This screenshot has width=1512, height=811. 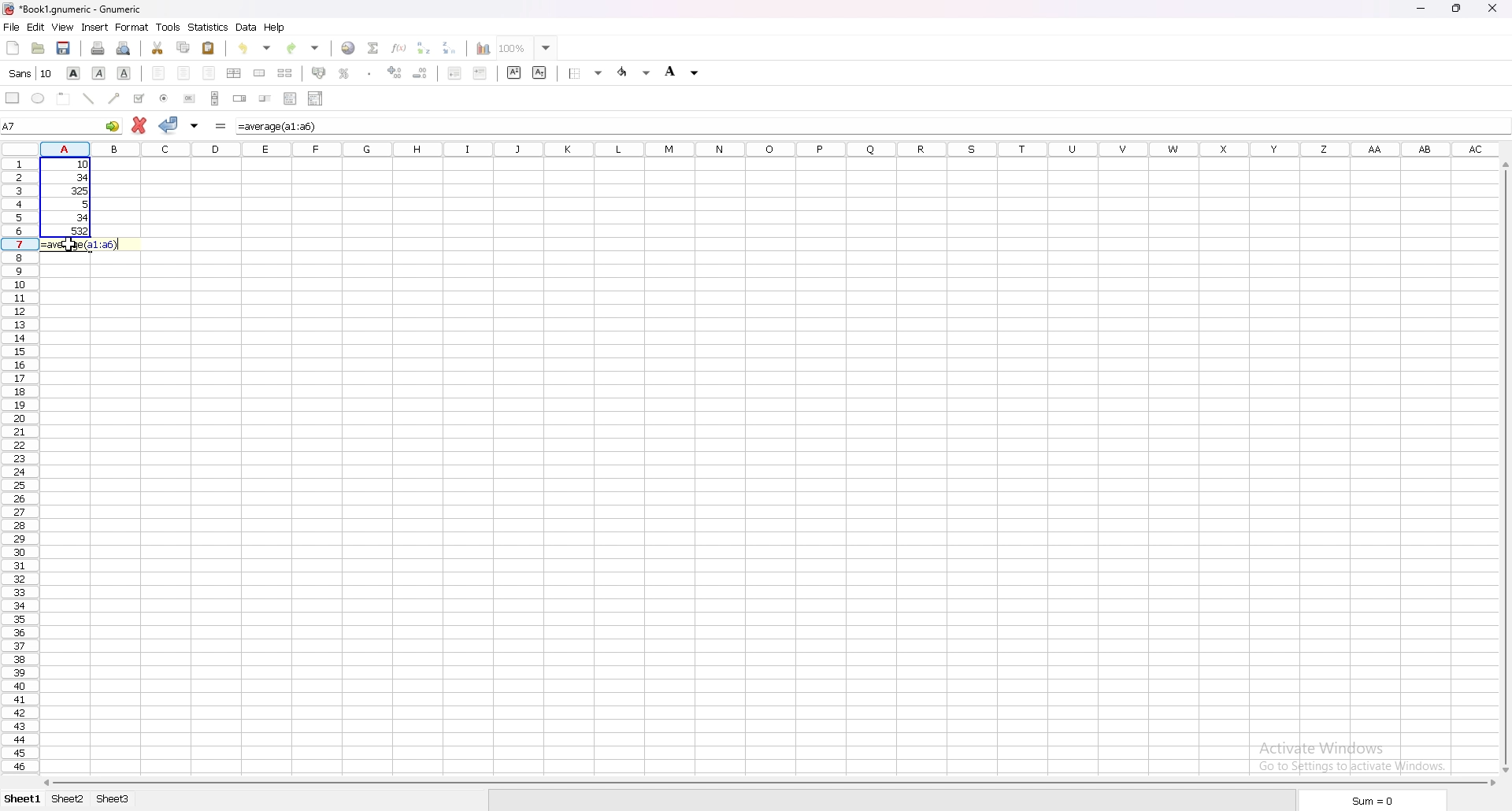 What do you see at coordinates (69, 243) in the screenshot?
I see `cursor` at bounding box center [69, 243].